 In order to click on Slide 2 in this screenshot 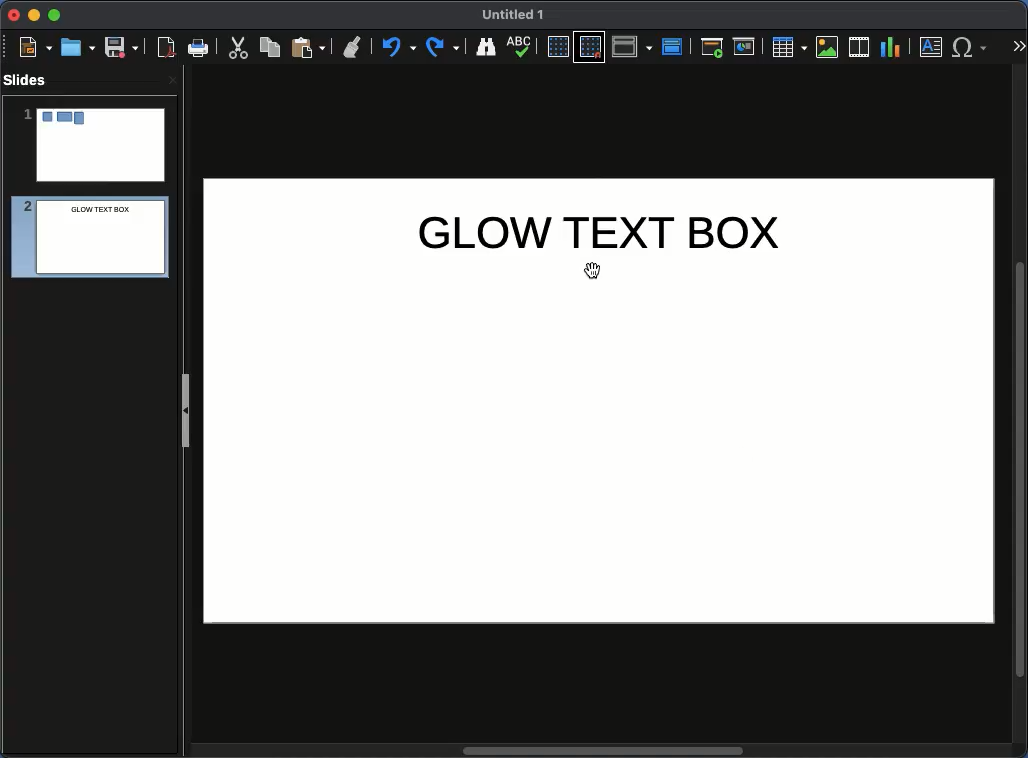, I will do `click(84, 240)`.